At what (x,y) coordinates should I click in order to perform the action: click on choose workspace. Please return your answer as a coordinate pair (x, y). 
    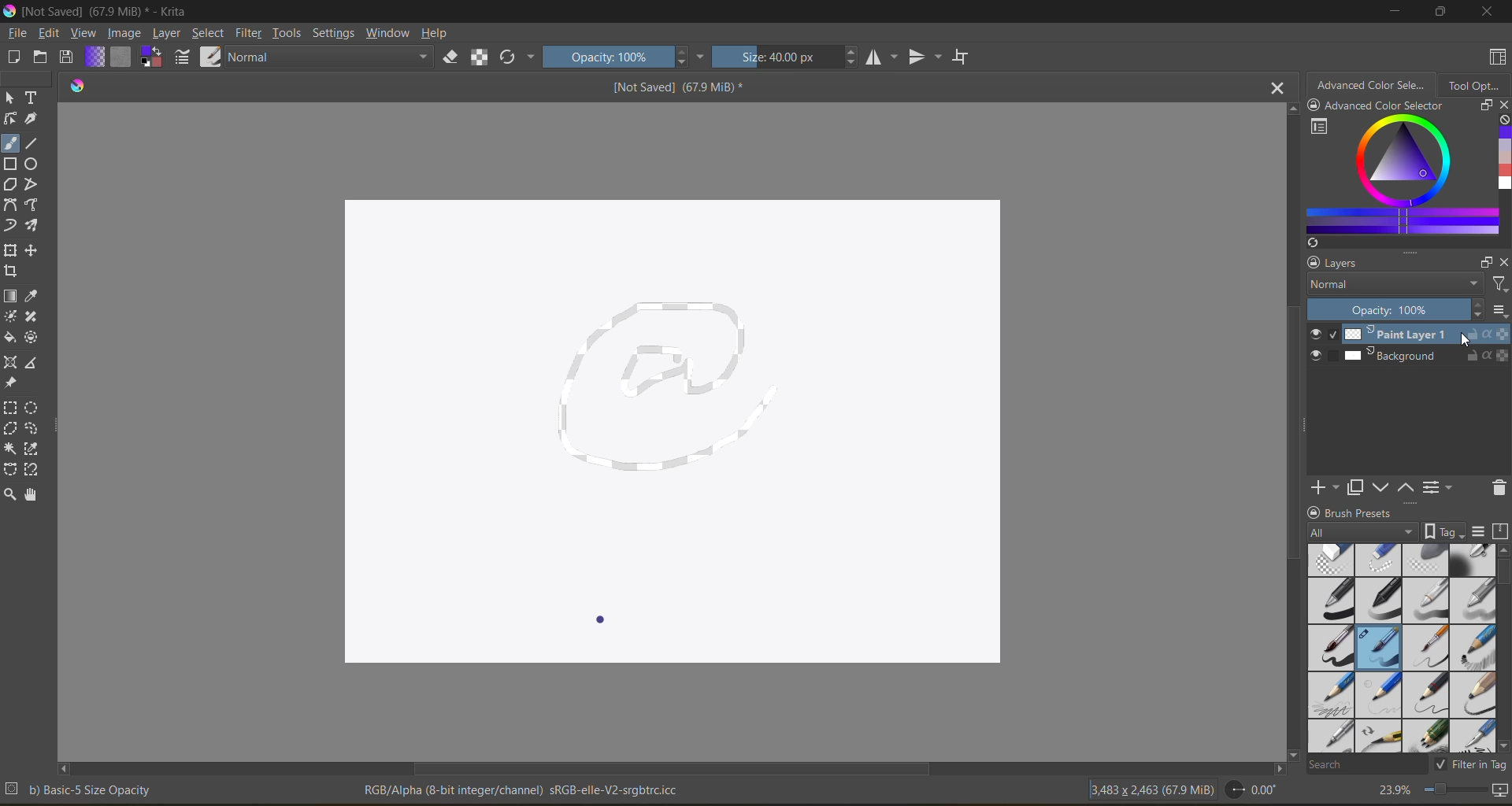
    Looking at the image, I should click on (1496, 59).